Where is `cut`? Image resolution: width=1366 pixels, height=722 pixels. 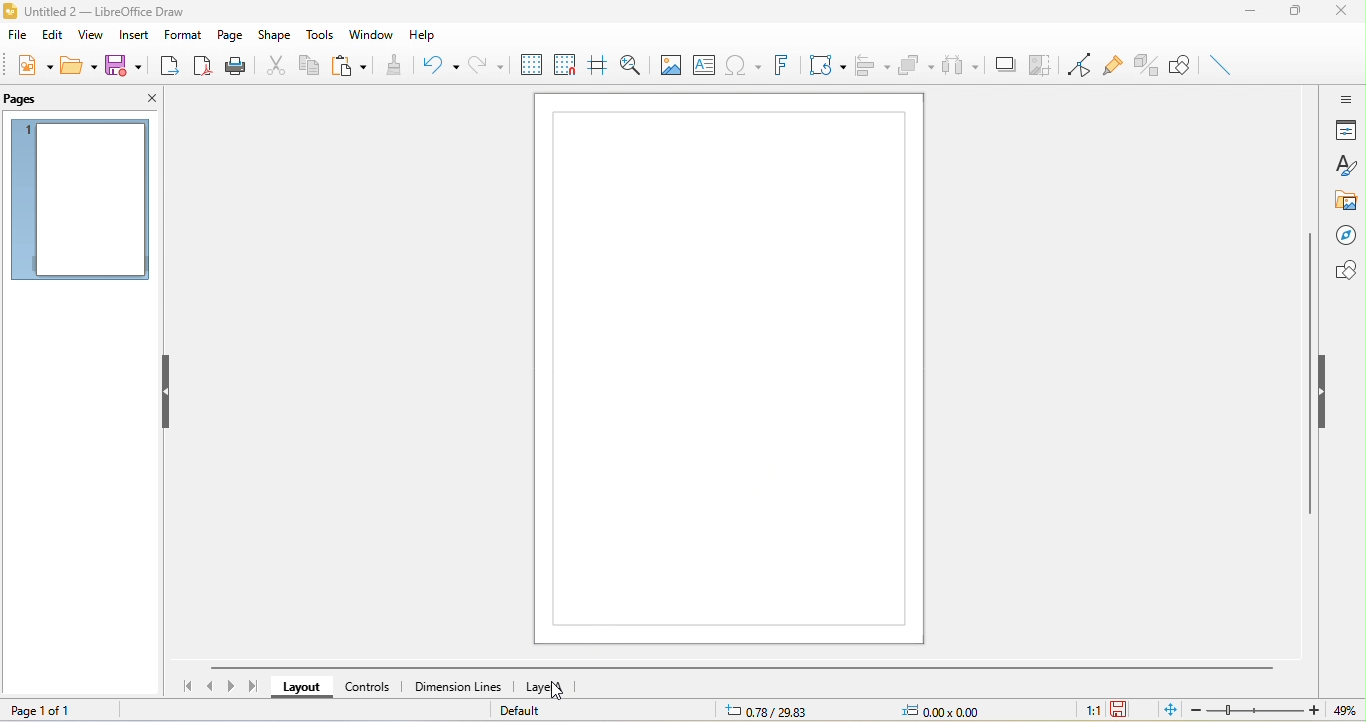
cut is located at coordinates (277, 66).